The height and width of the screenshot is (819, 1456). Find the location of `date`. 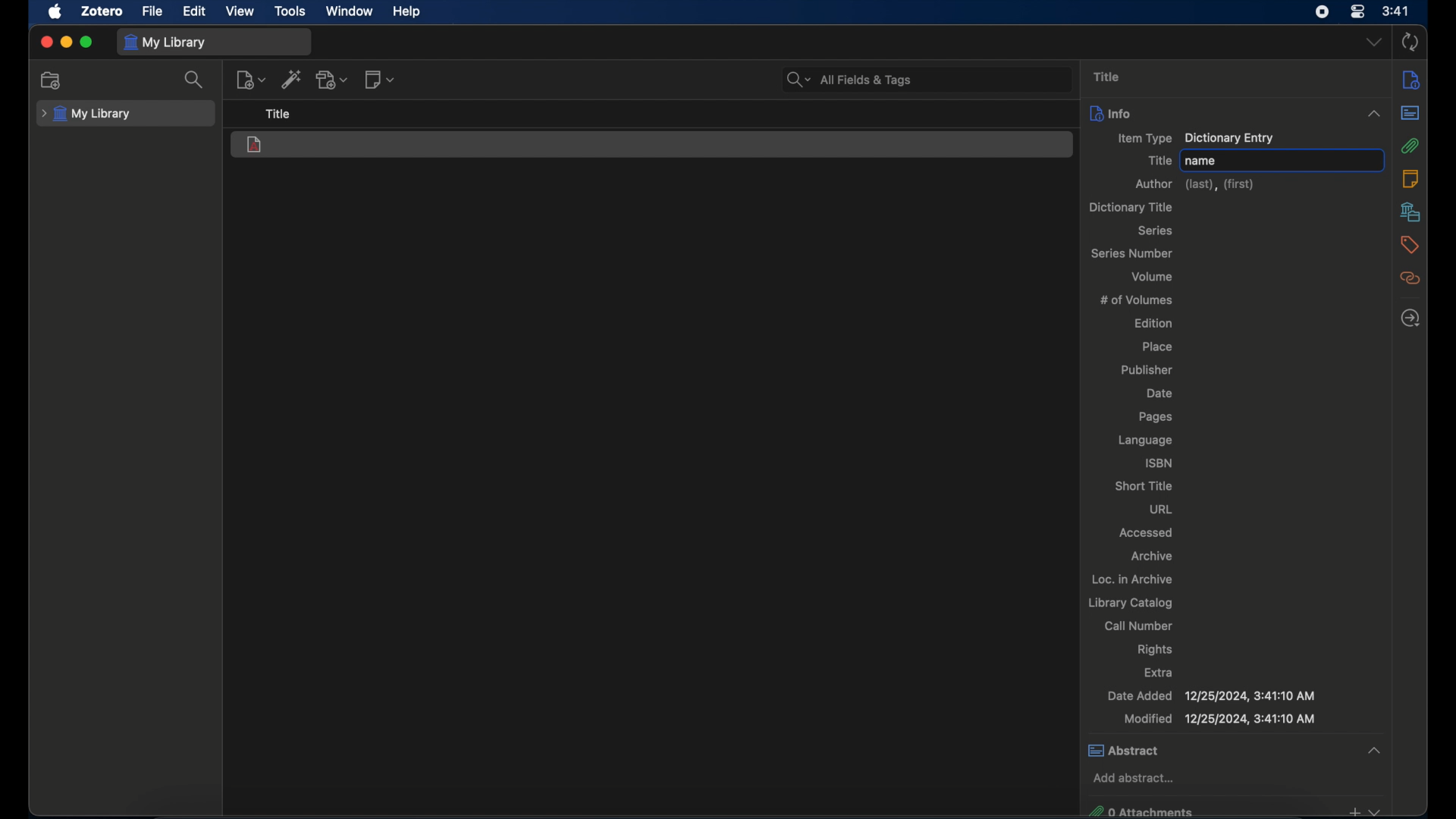

date is located at coordinates (1162, 394).